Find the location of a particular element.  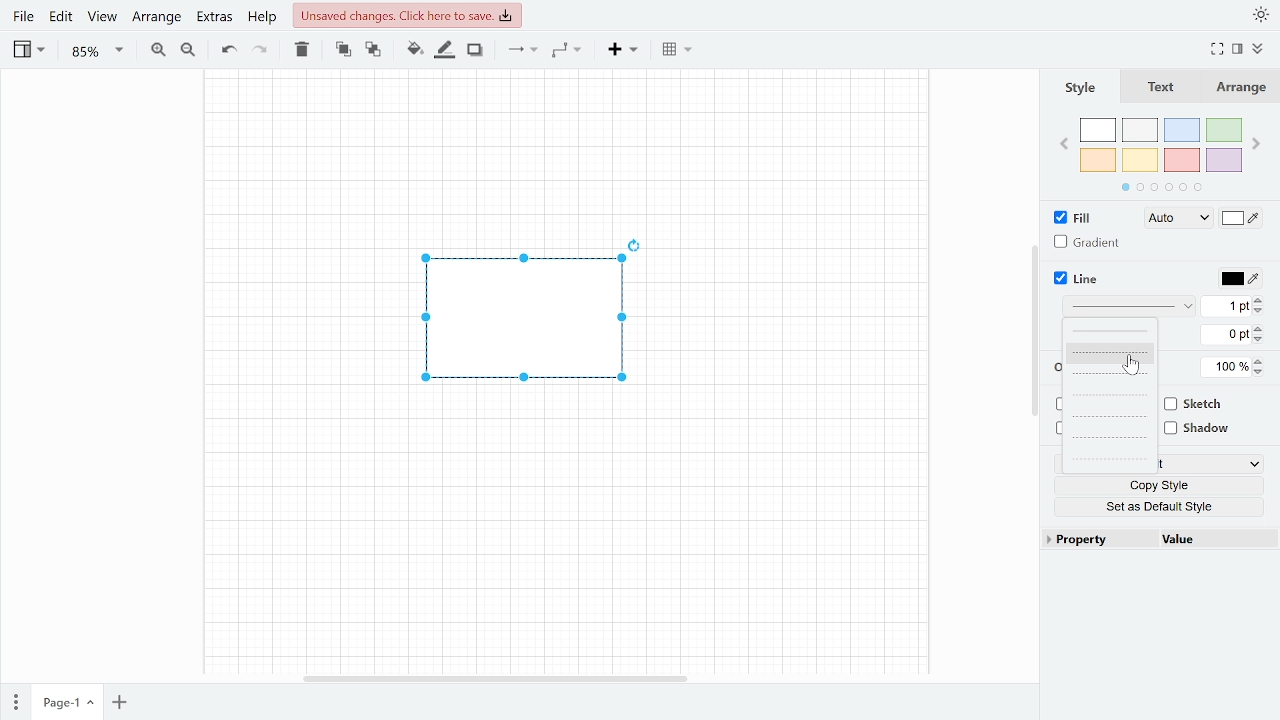

Fill is located at coordinates (1074, 216).